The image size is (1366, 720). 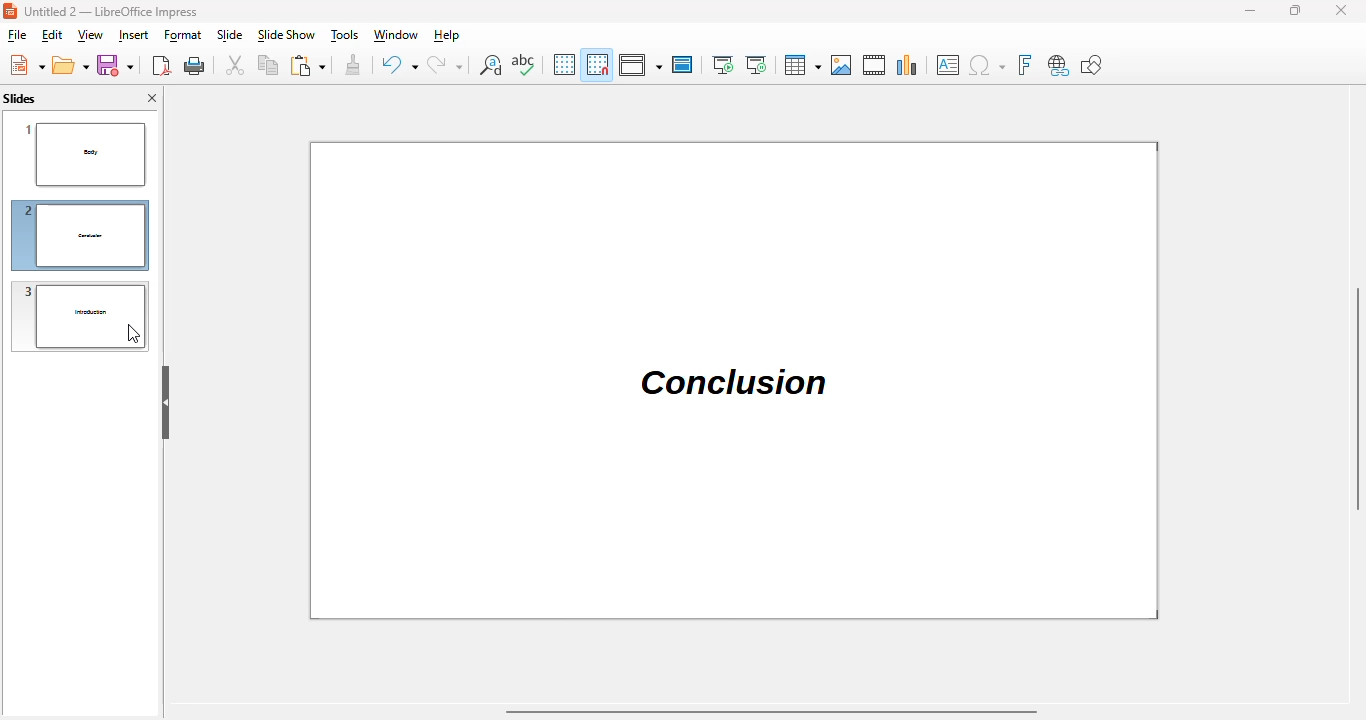 I want to click on view, so click(x=90, y=35).